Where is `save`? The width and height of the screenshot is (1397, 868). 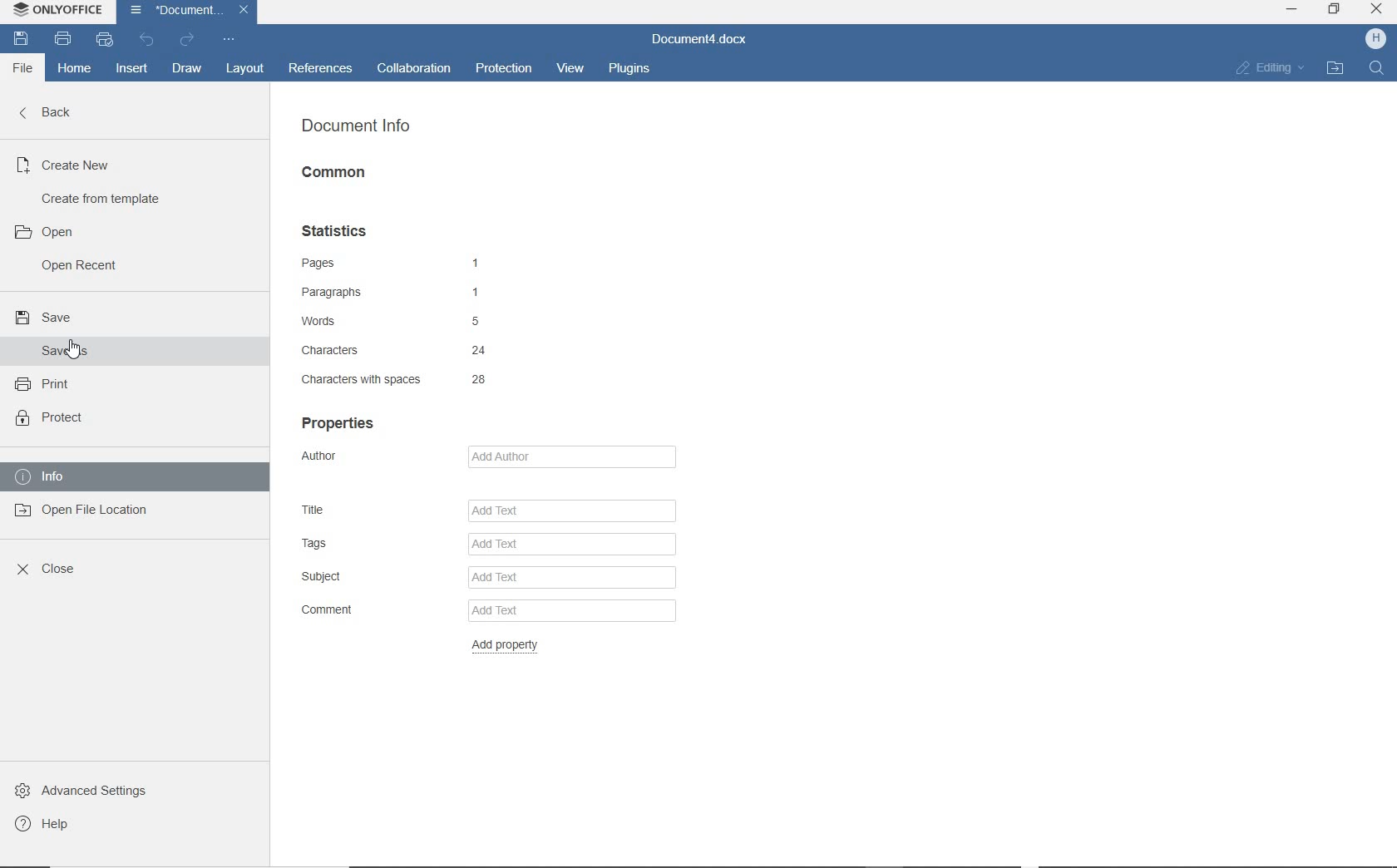
save is located at coordinates (19, 40).